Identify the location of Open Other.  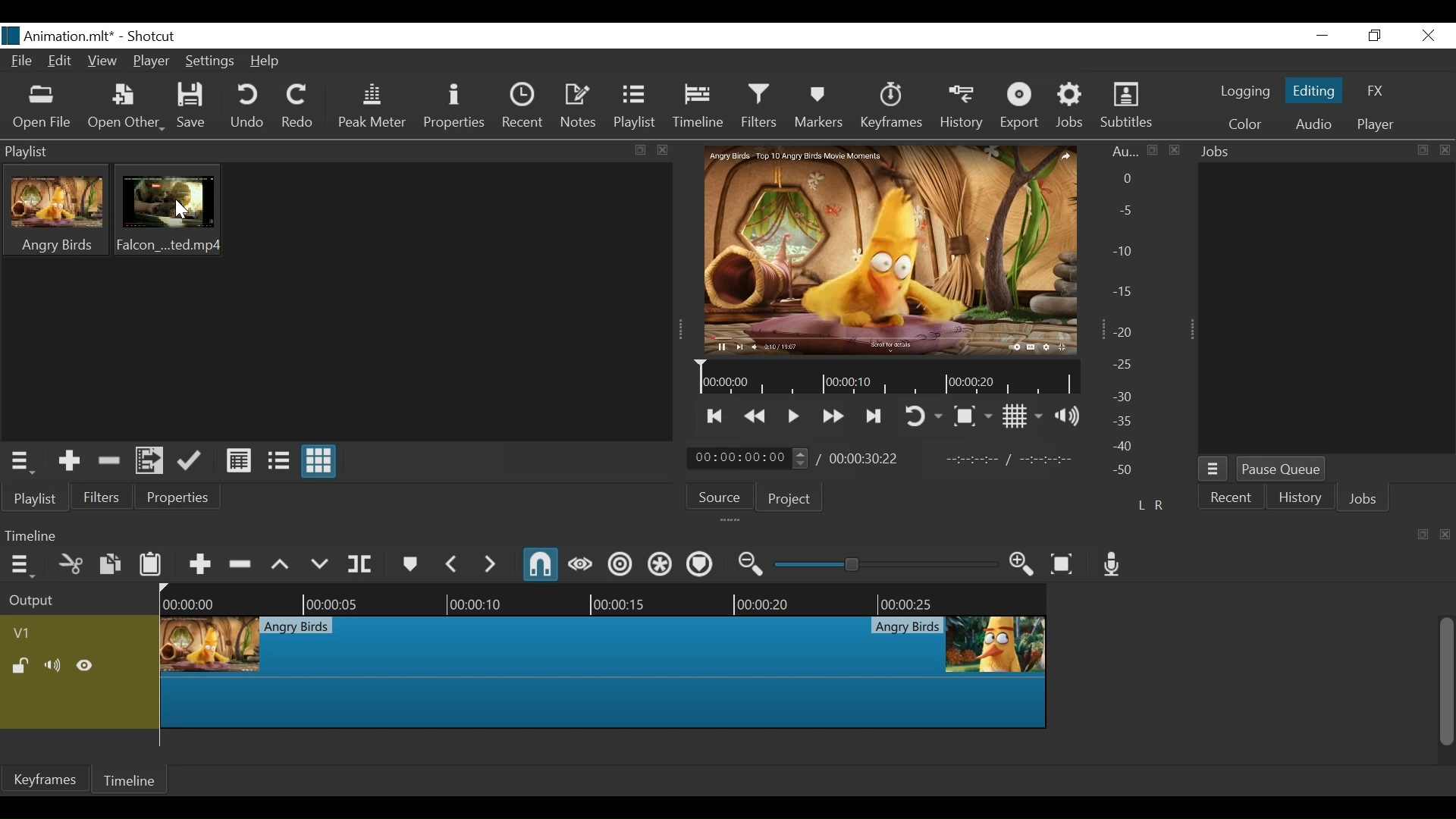
(125, 108).